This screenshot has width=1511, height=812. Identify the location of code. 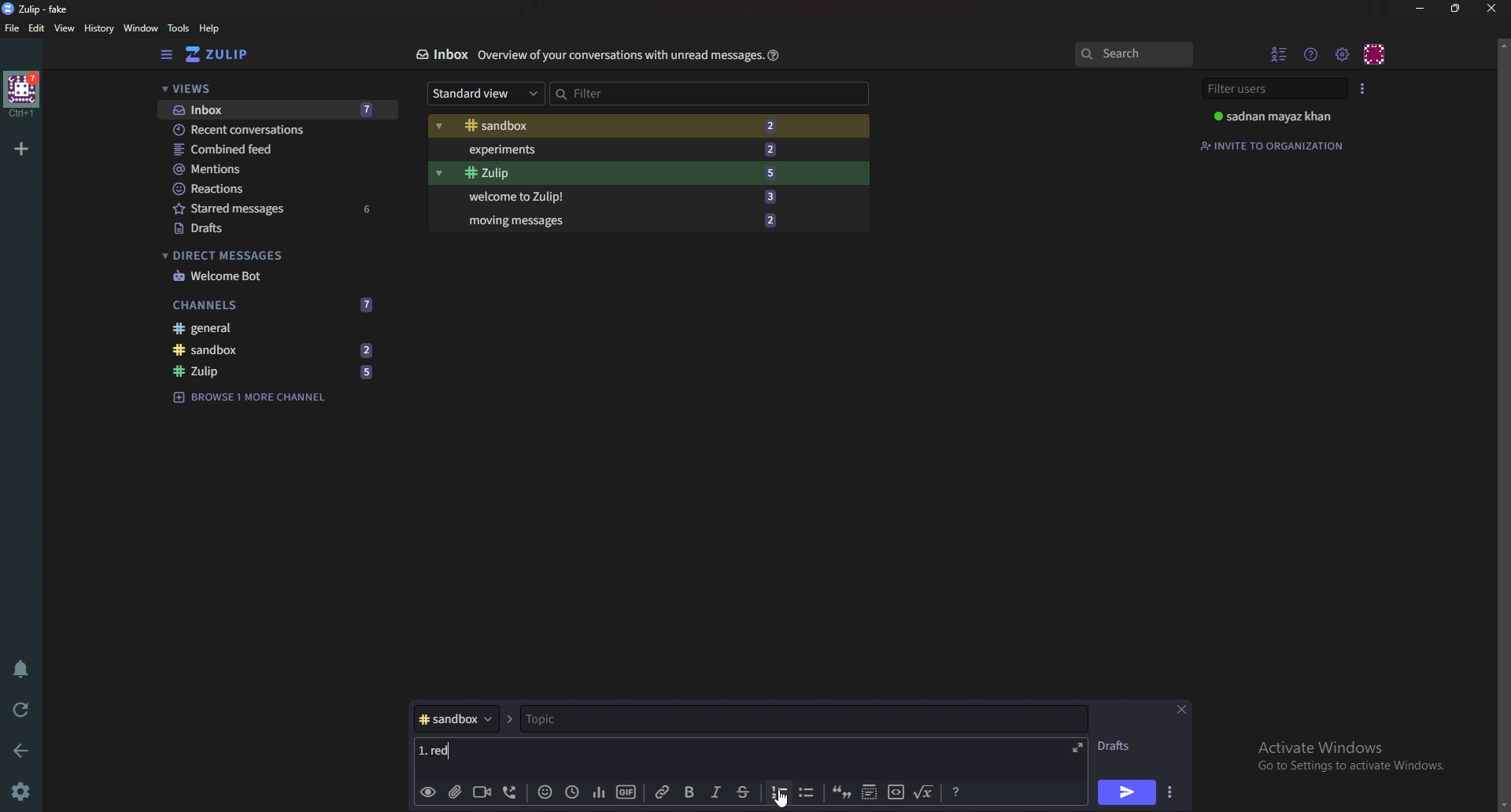
(895, 794).